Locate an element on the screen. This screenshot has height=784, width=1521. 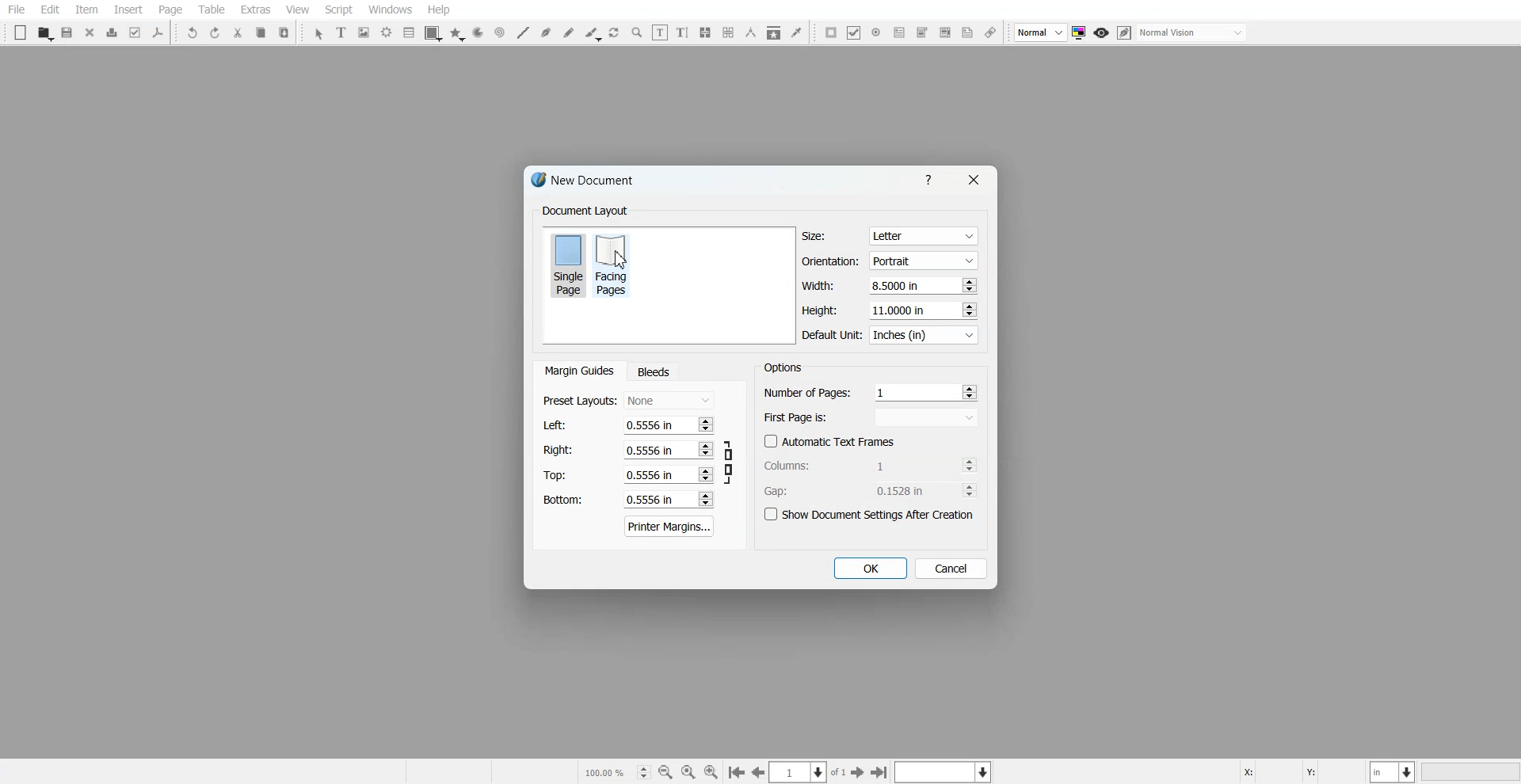
Measurement in Inches is located at coordinates (1393, 771).